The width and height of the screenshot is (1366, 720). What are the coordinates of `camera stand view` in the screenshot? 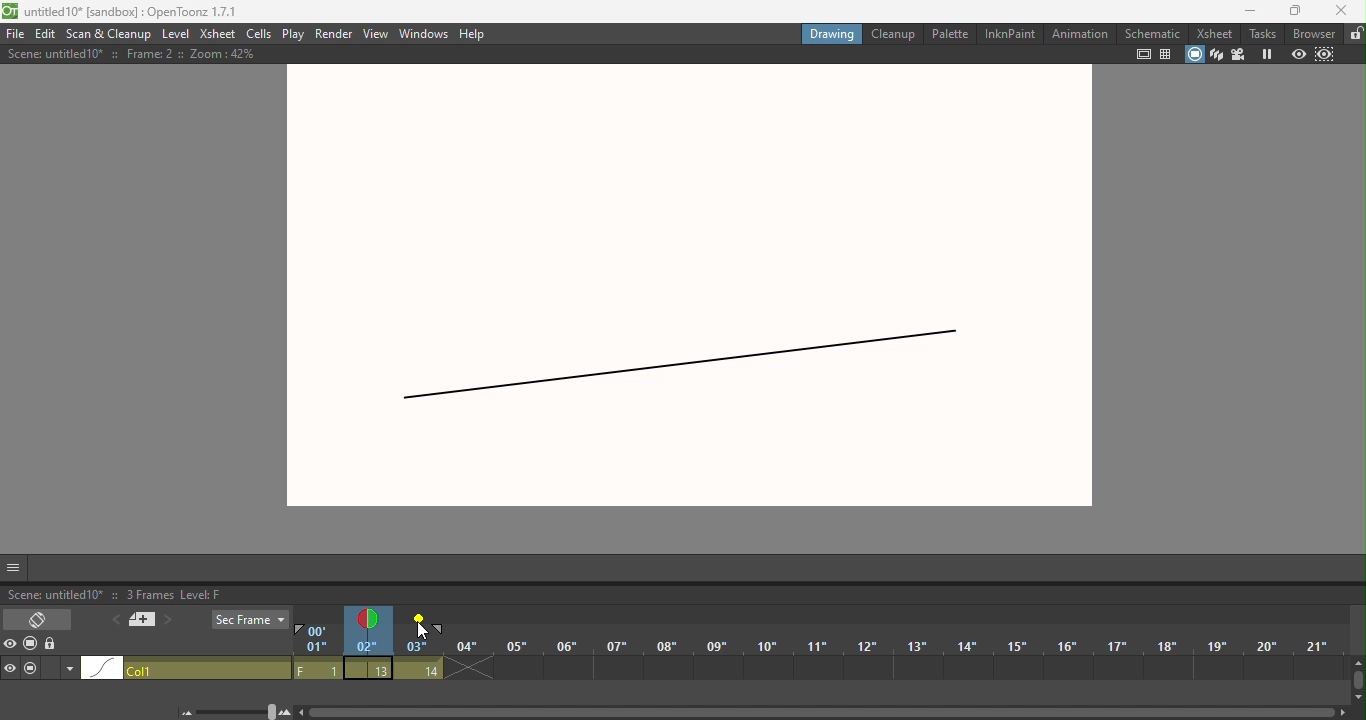 It's located at (1194, 55).